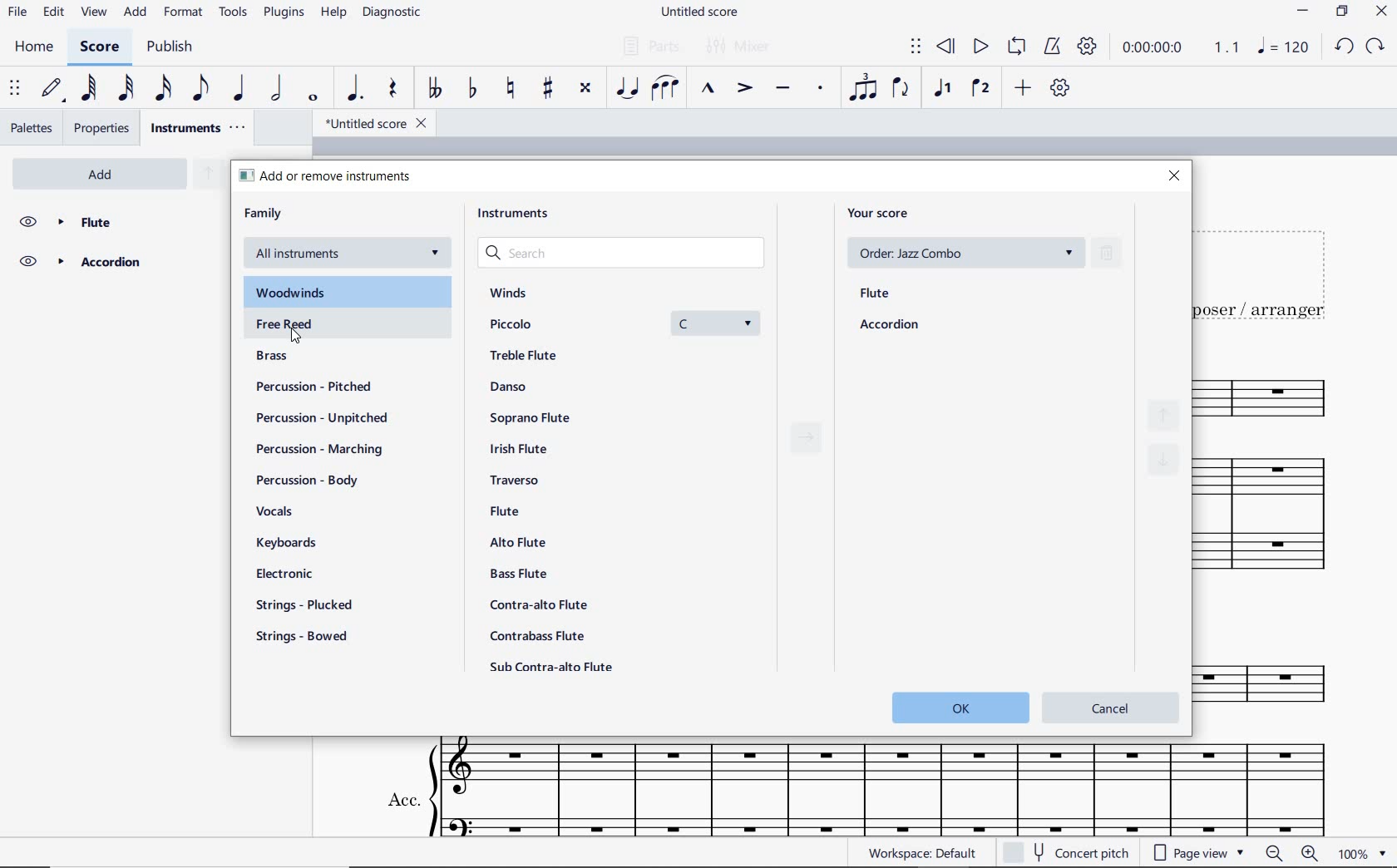  I want to click on playback settings, so click(1086, 47).